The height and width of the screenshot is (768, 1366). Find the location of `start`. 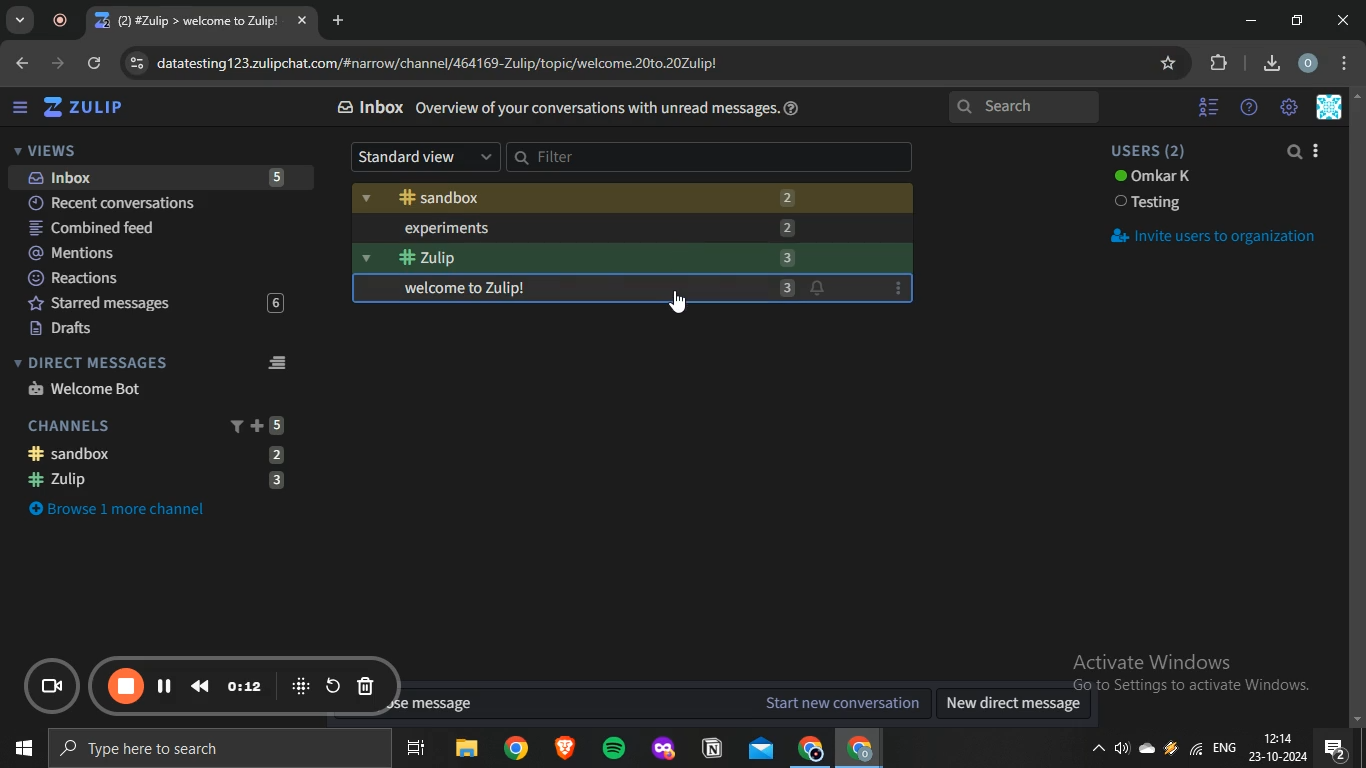

start is located at coordinates (20, 751).